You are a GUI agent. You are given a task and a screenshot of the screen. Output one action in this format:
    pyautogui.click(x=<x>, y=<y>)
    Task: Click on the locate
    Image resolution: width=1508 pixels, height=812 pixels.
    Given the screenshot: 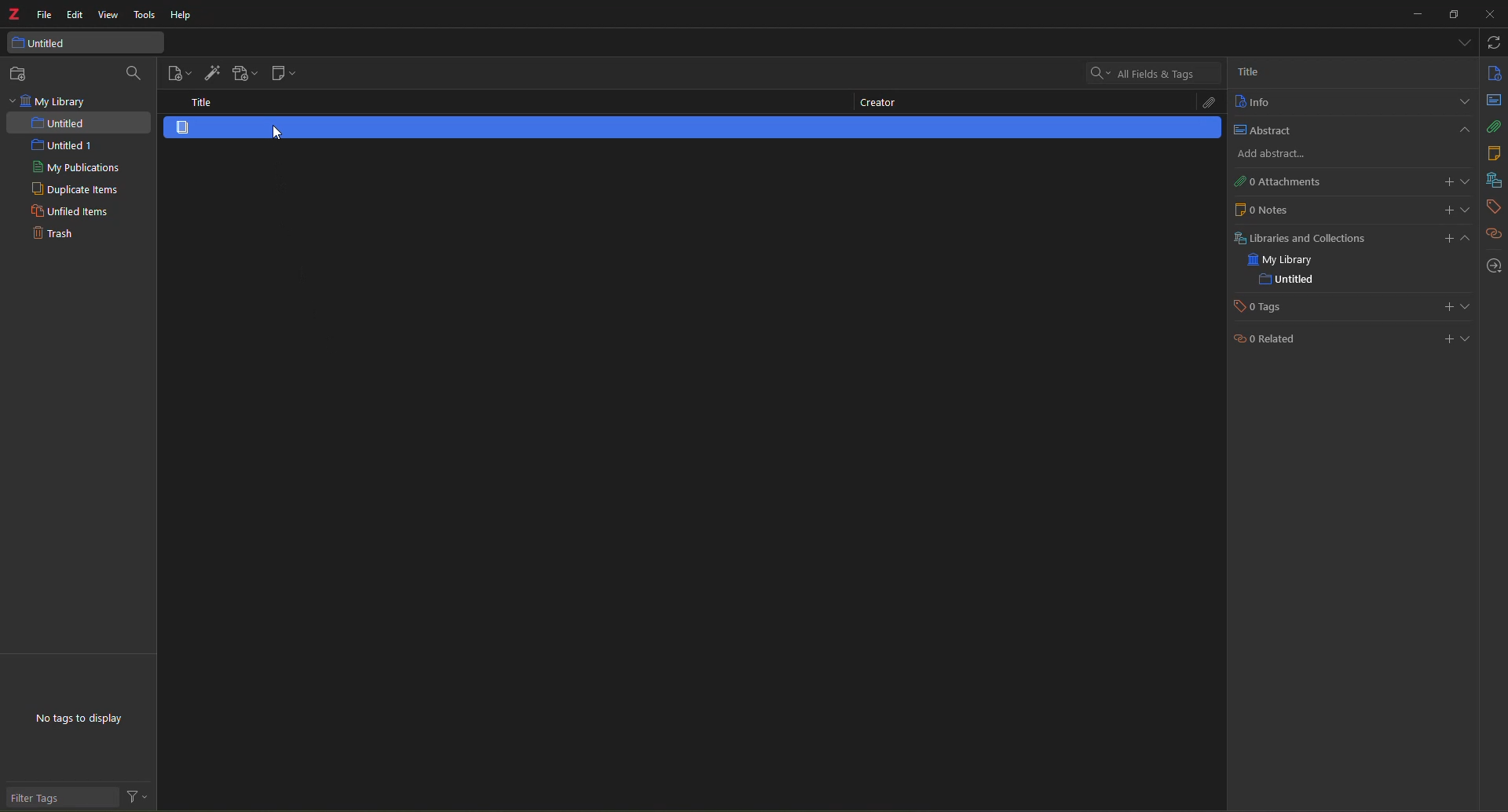 What is the action you would take?
    pyautogui.click(x=1494, y=266)
    